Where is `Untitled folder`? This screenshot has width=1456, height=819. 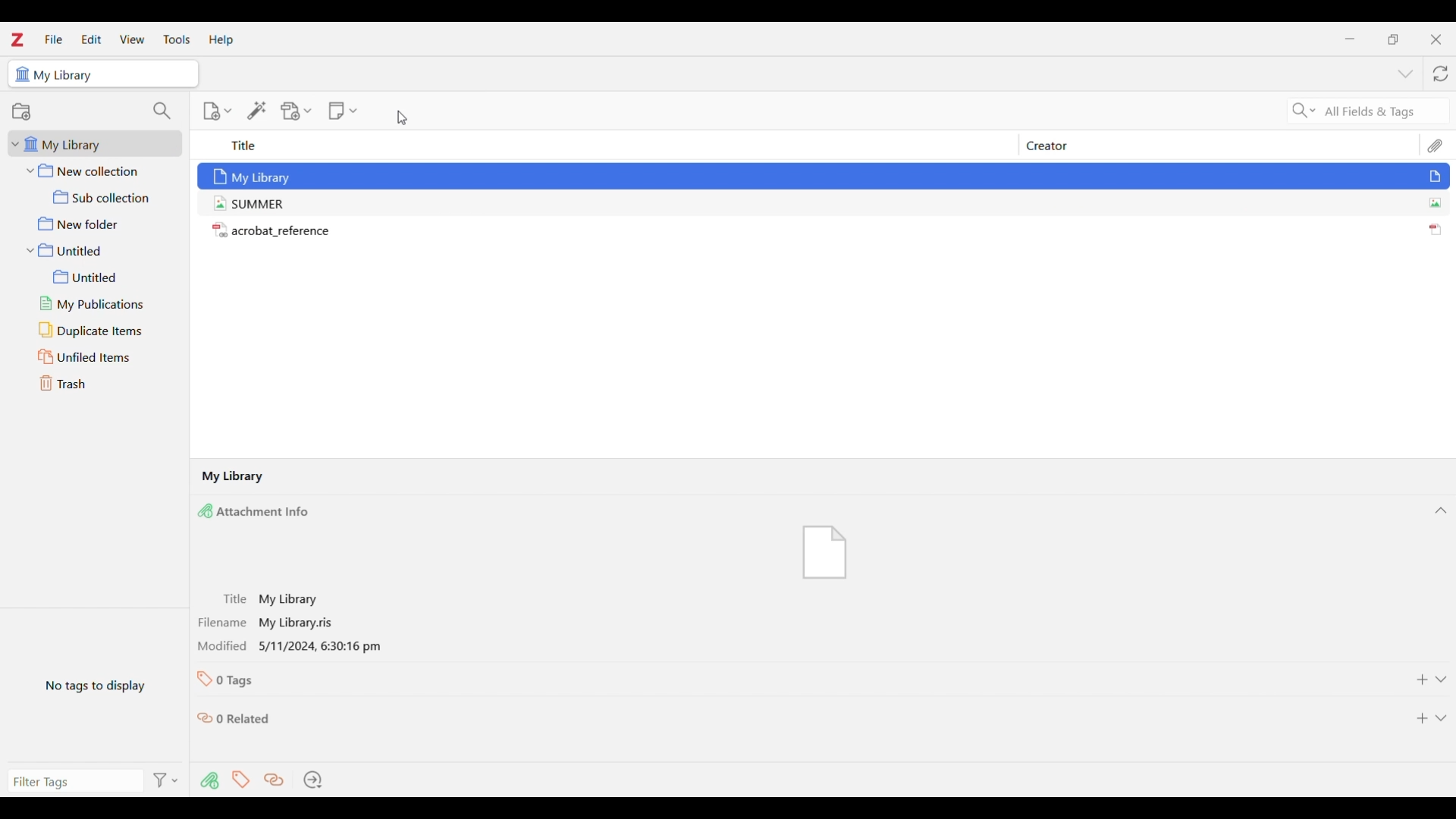 Untitled folder is located at coordinates (96, 249).